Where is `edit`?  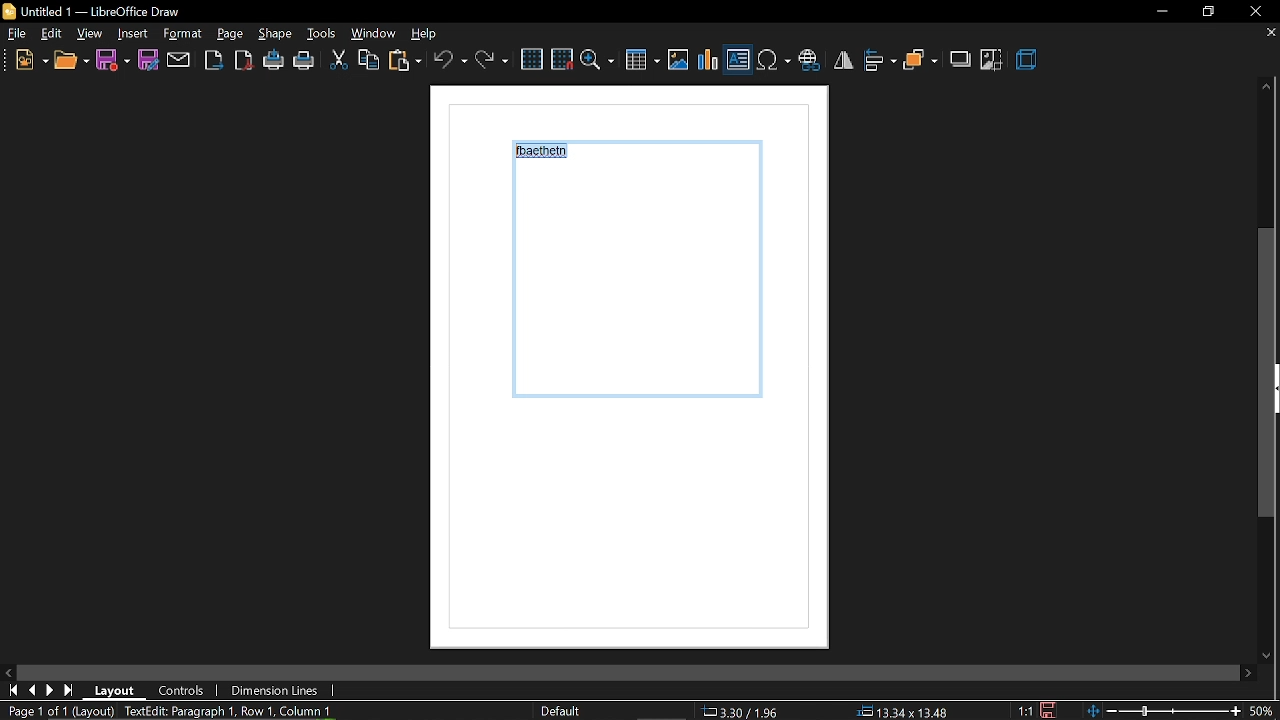 edit is located at coordinates (52, 34).